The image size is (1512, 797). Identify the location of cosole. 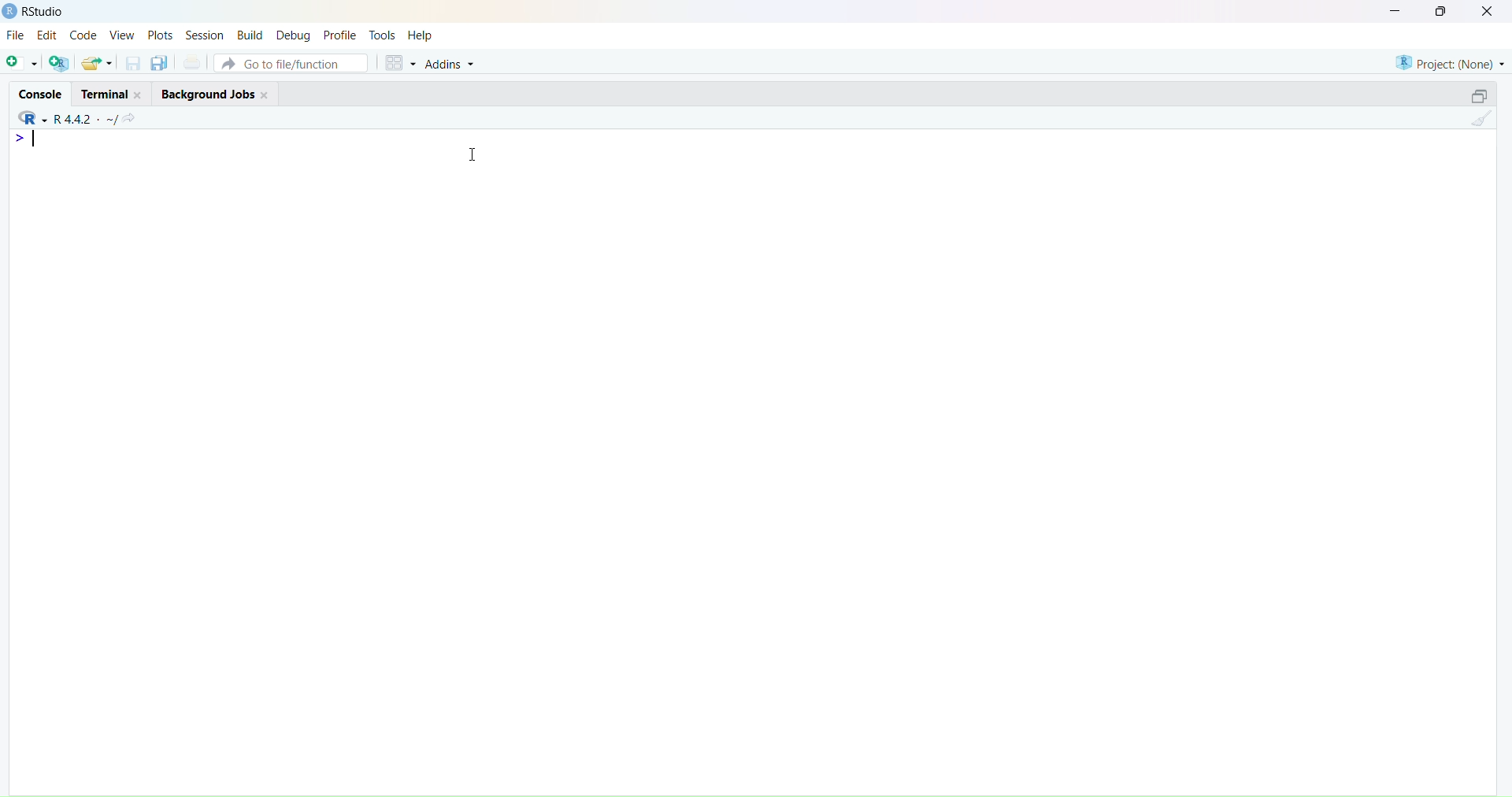
(41, 95).